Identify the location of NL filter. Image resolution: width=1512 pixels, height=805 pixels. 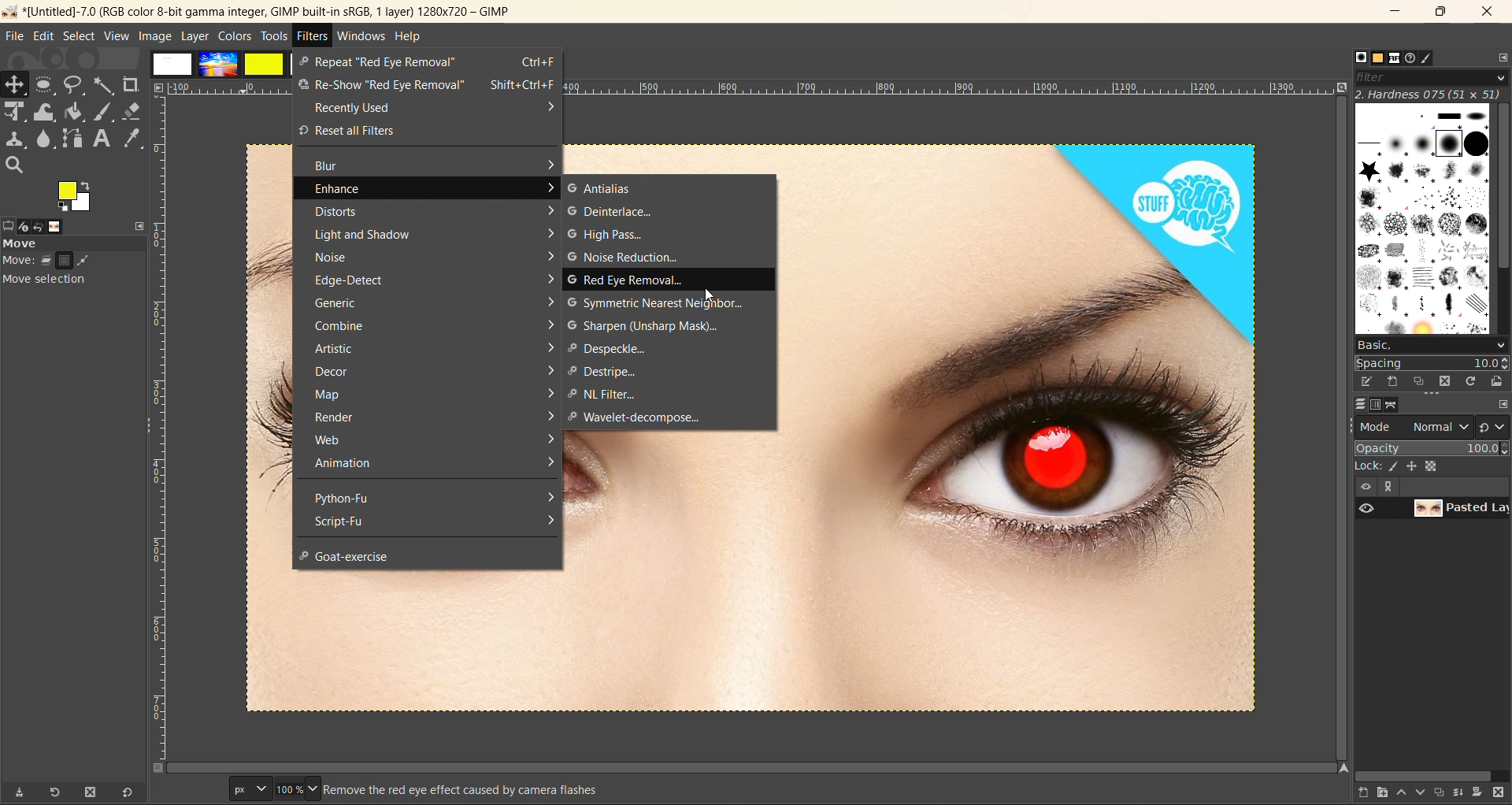
(611, 393).